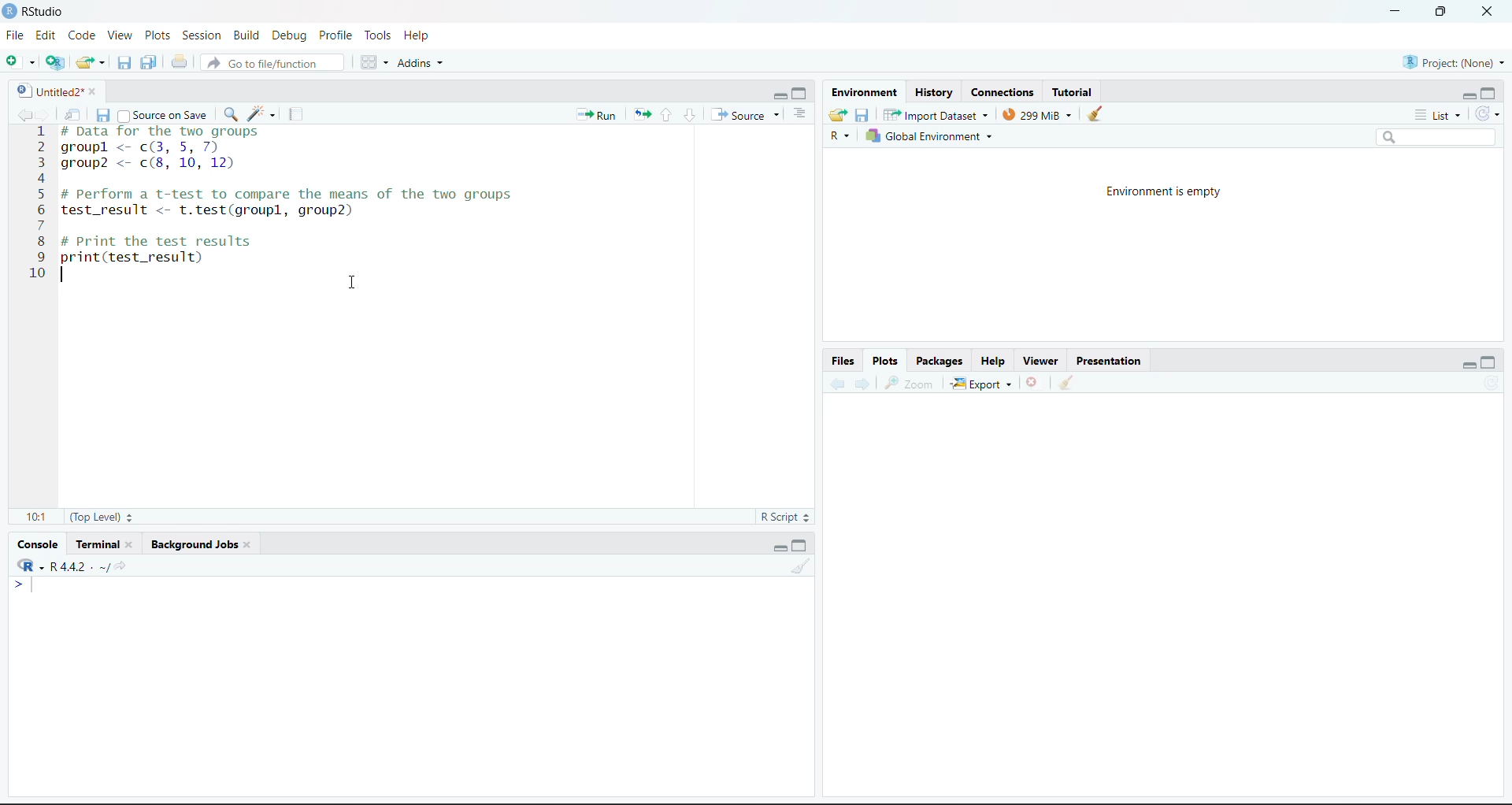  What do you see at coordinates (353, 283) in the screenshot?
I see `cursor` at bounding box center [353, 283].